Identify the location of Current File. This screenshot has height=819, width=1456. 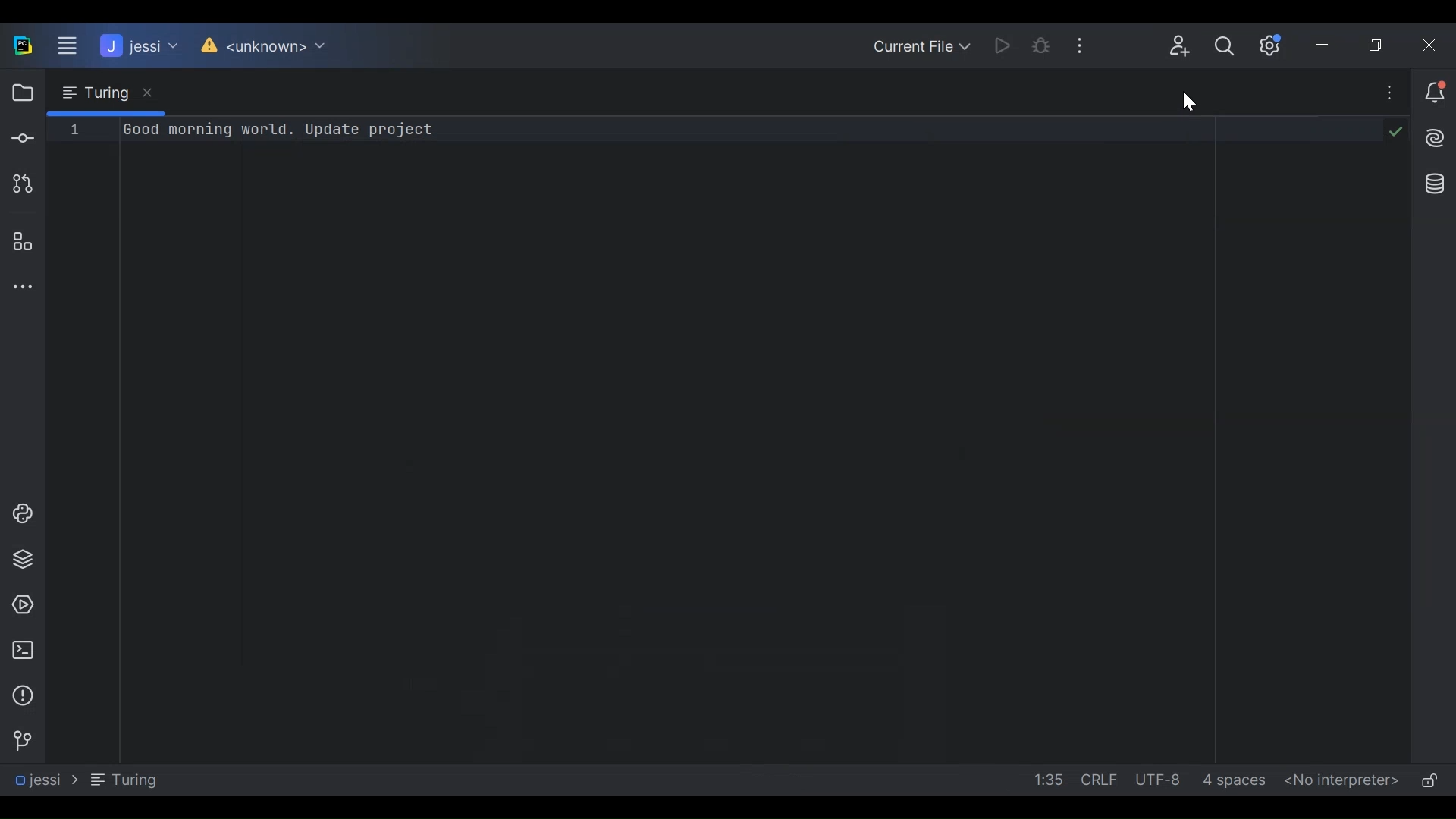
(918, 42).